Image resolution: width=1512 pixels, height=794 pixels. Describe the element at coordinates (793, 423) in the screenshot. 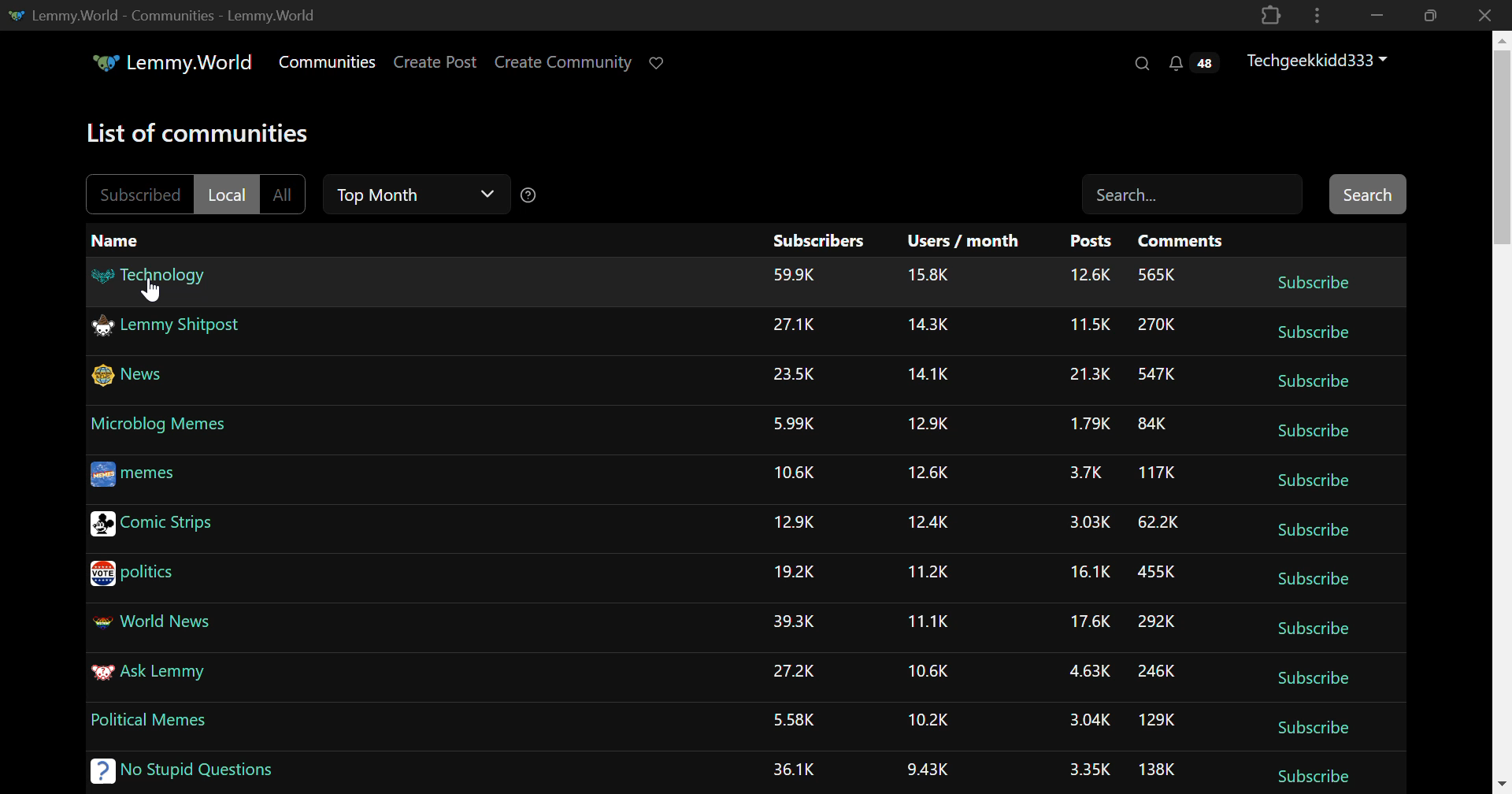

I see `5.99K` at that location.